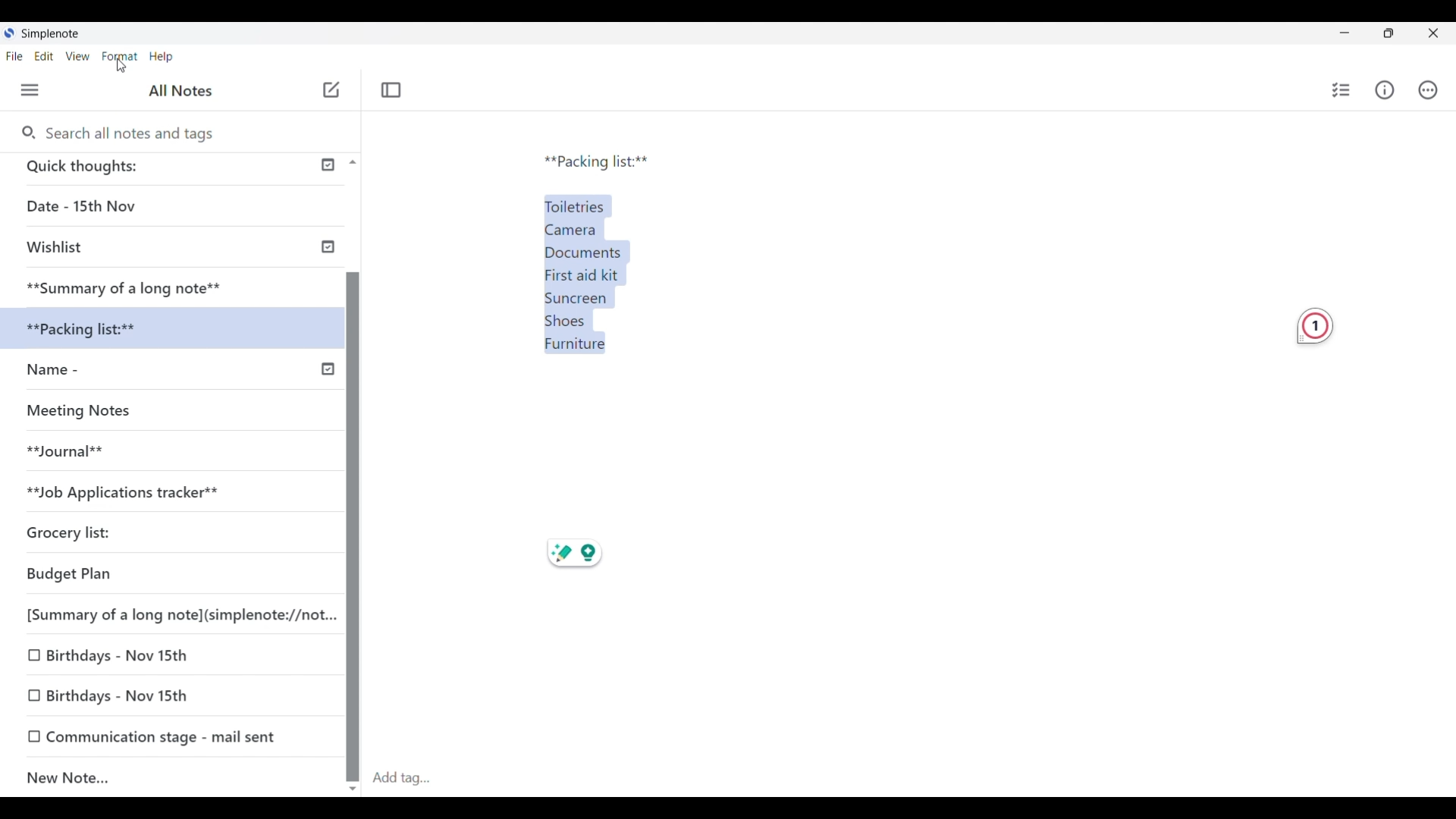 The image size is (1456, 819). Describe the element at coordinates (1428, 89) in the screenshot. I see `Actions` at that location.